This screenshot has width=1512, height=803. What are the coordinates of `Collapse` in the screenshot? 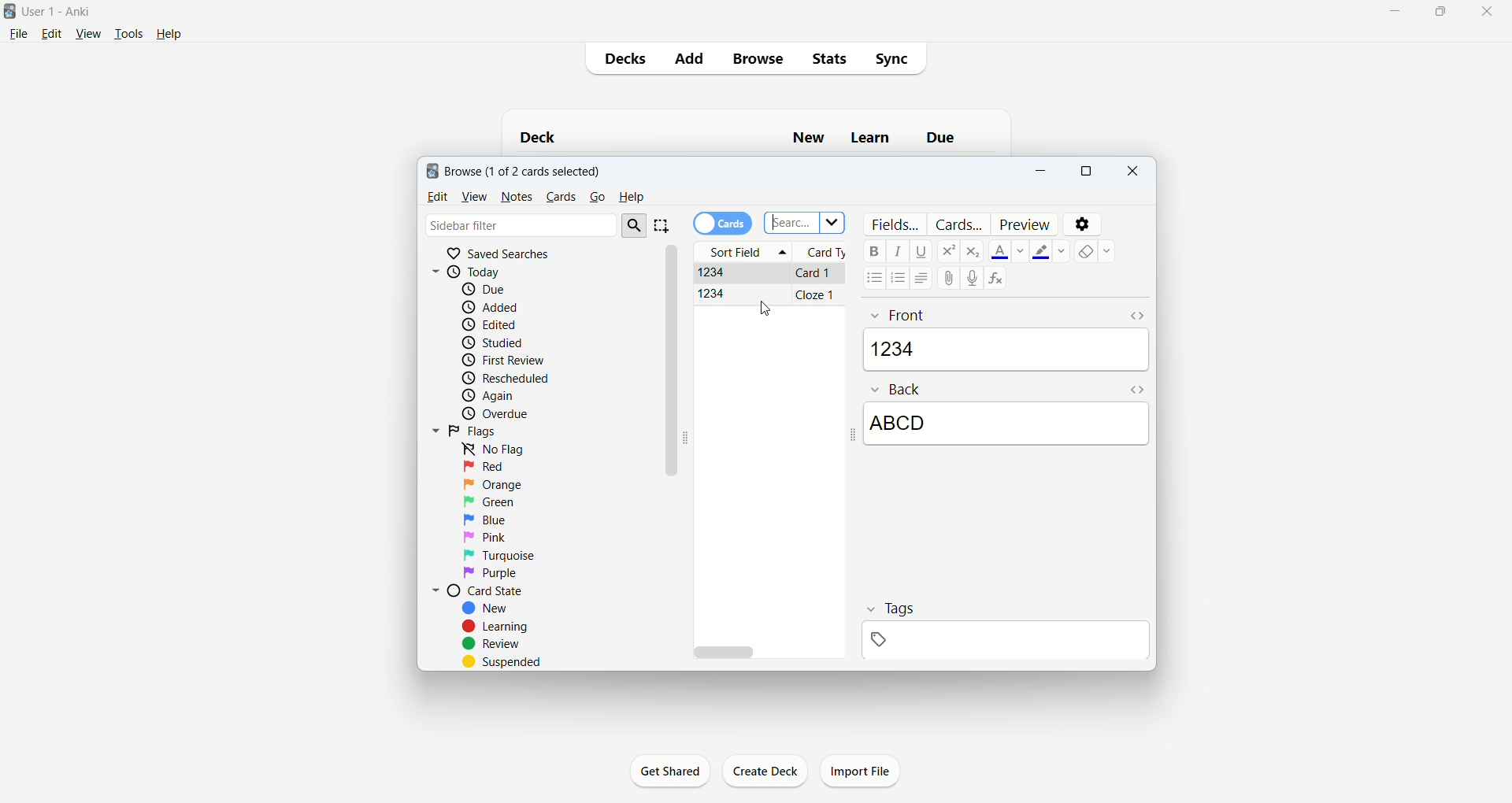 It's located at (854, 435).